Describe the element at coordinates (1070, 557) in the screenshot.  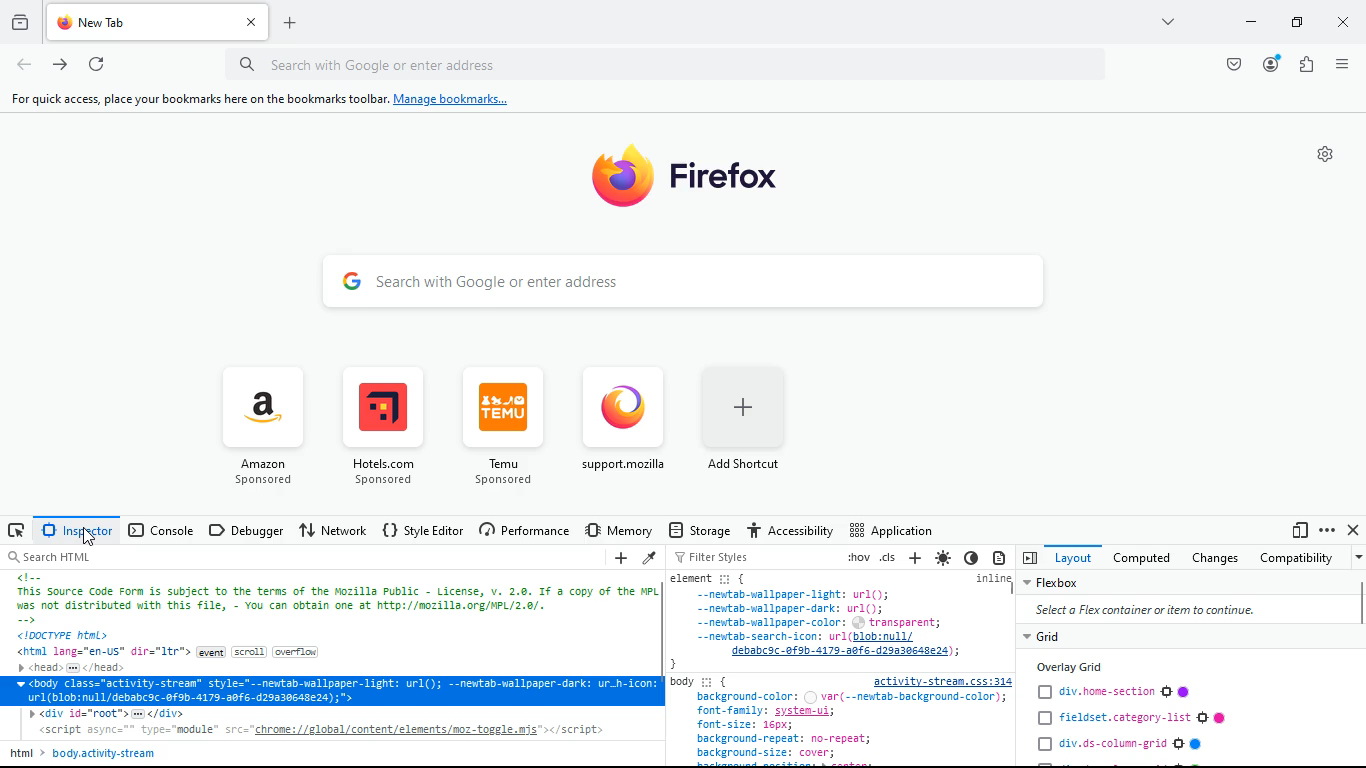
I see `layout` at that location.